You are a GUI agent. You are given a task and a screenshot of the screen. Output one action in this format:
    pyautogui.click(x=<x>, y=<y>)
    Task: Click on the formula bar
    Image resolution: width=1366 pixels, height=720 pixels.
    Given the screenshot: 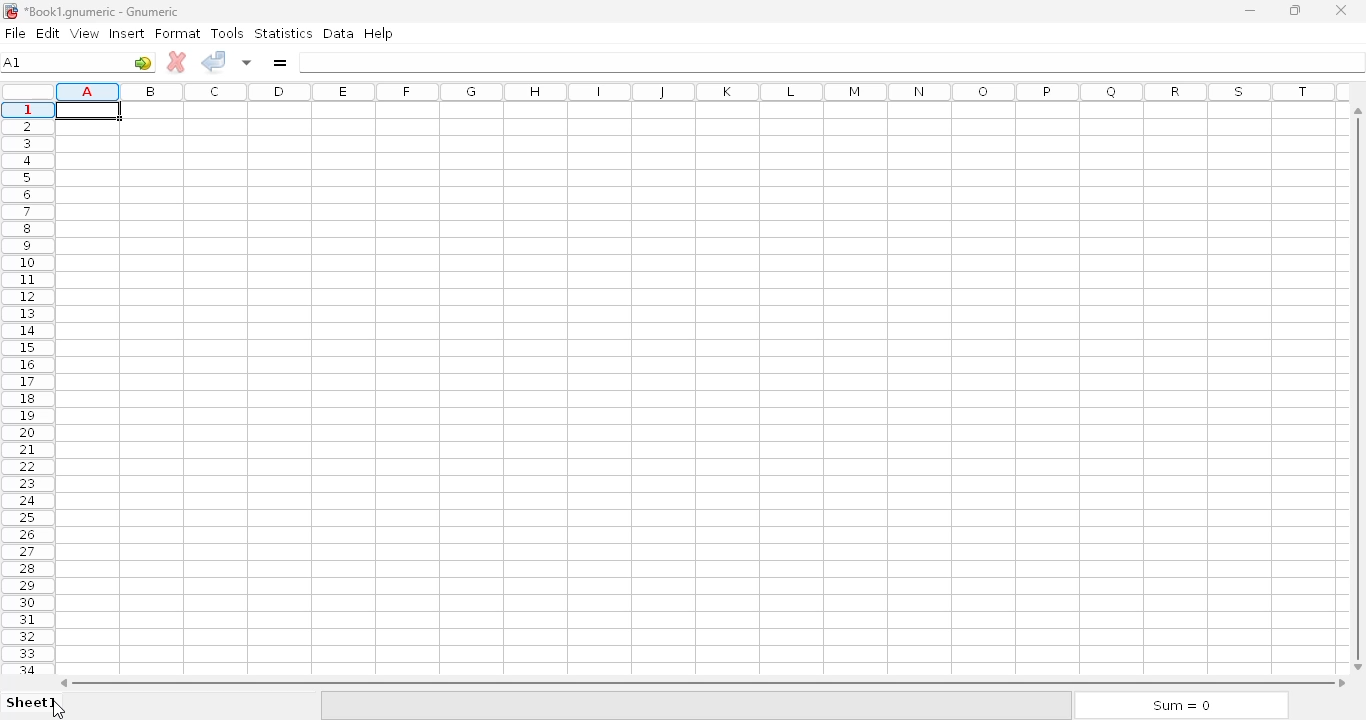 What is the action you would take?
    pyautogui.click(x=831, y=62)
    